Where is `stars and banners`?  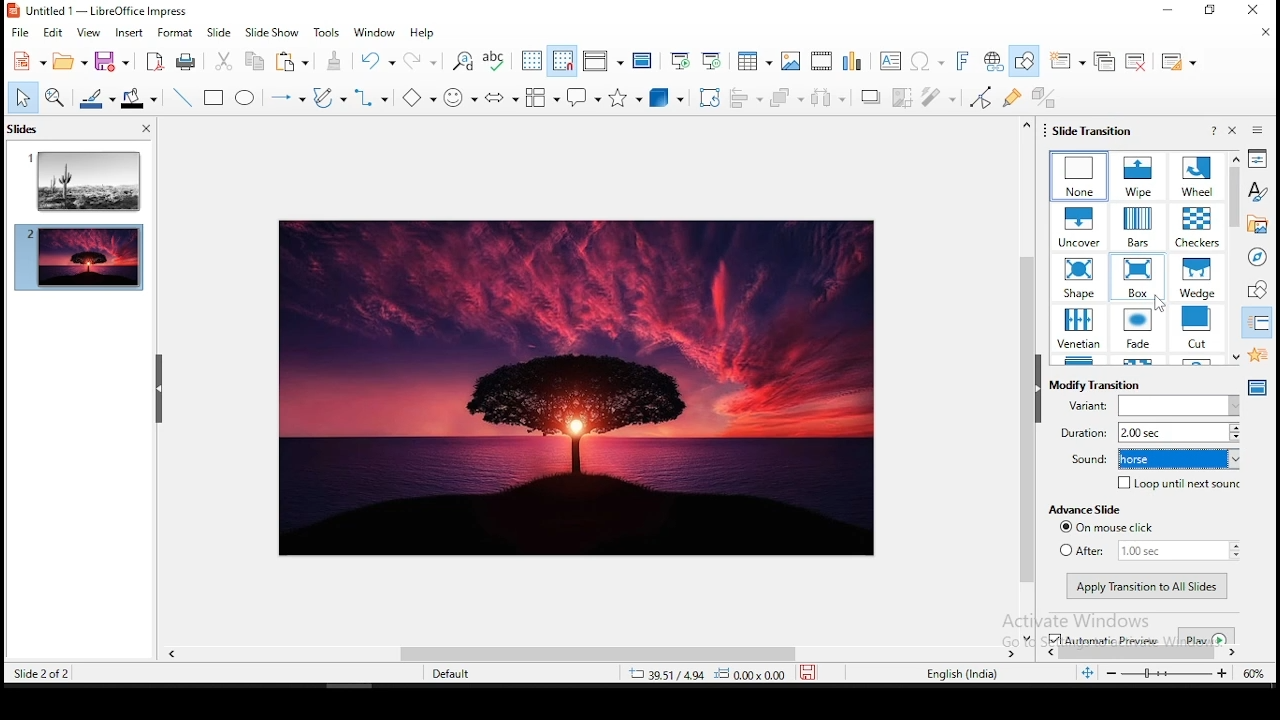 stars and banners is located at coordinates (623, 98).